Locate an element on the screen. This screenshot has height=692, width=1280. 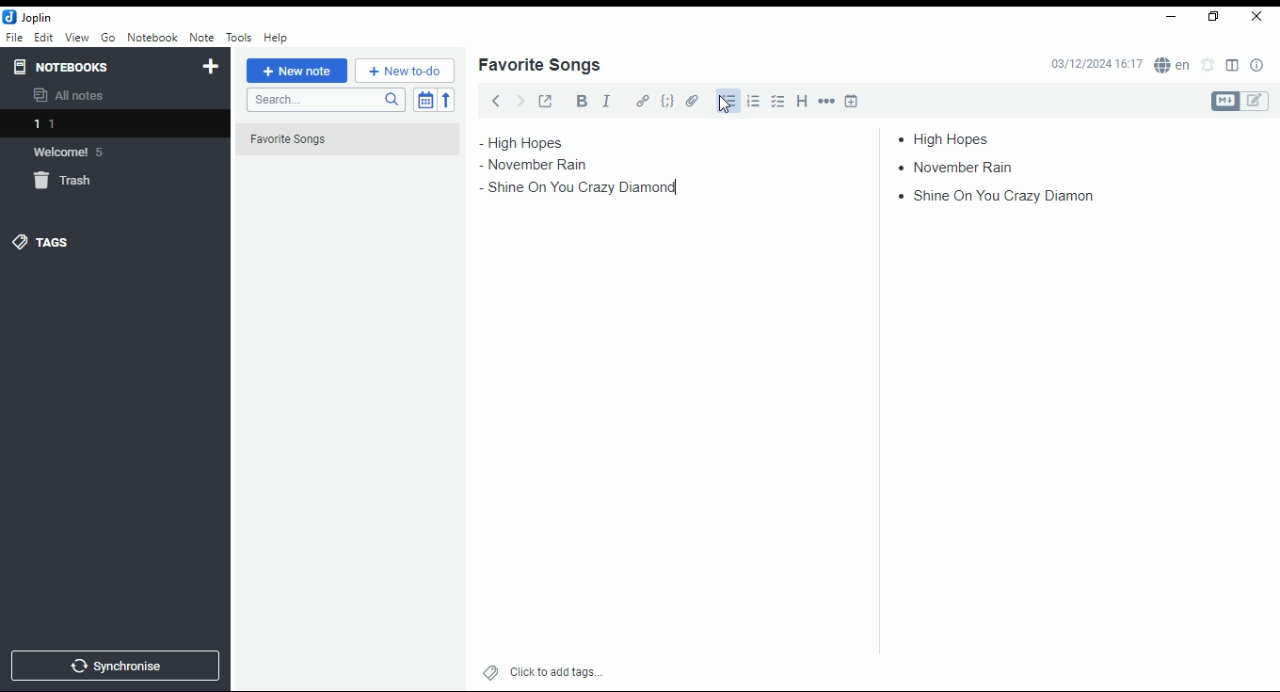
toggle editors is located at coordinates (1240, 101).